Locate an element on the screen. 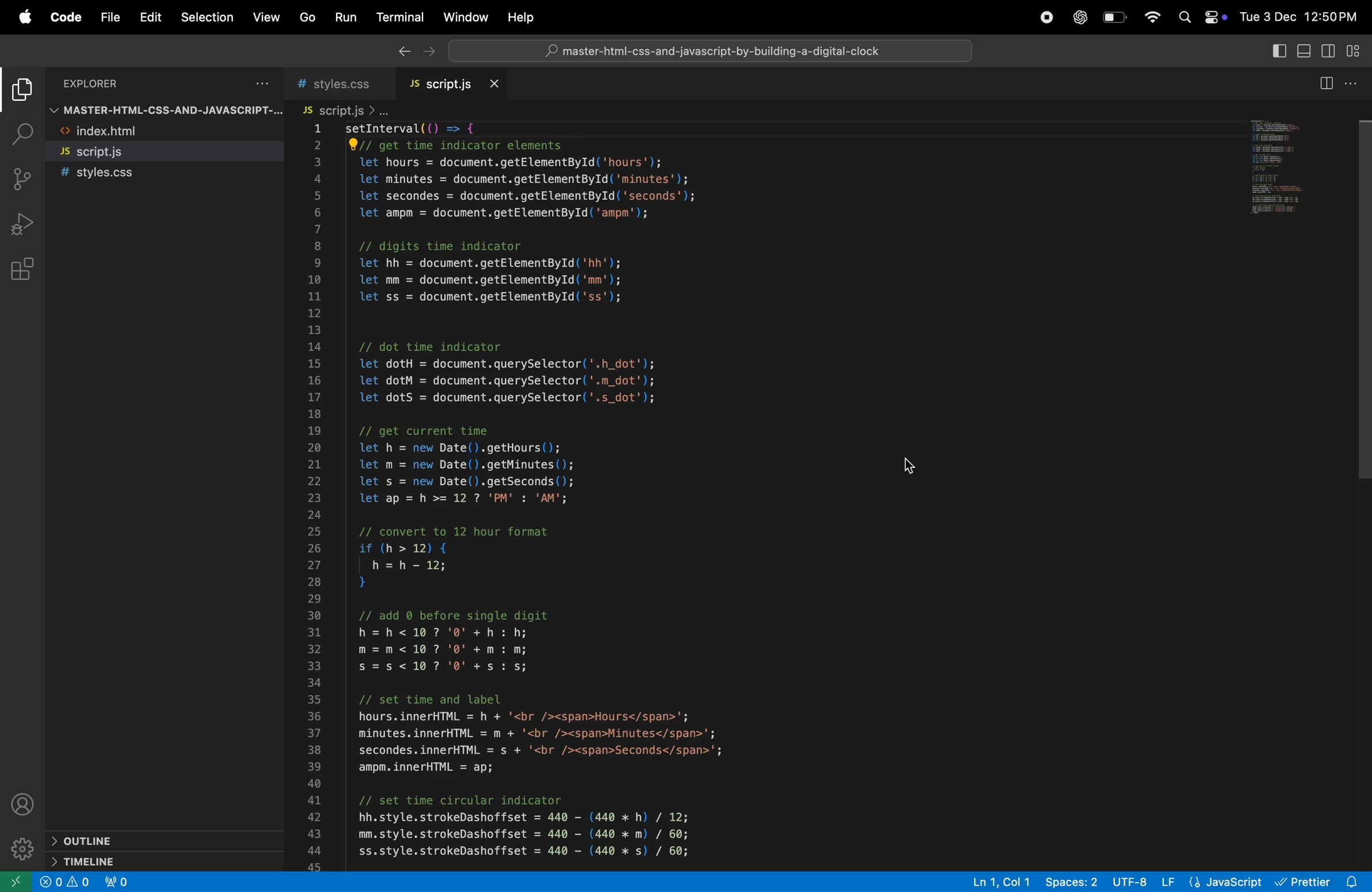 Image resolution: width=1372 pixels, height=892 pixels. code is located at coordinates (68, 18).